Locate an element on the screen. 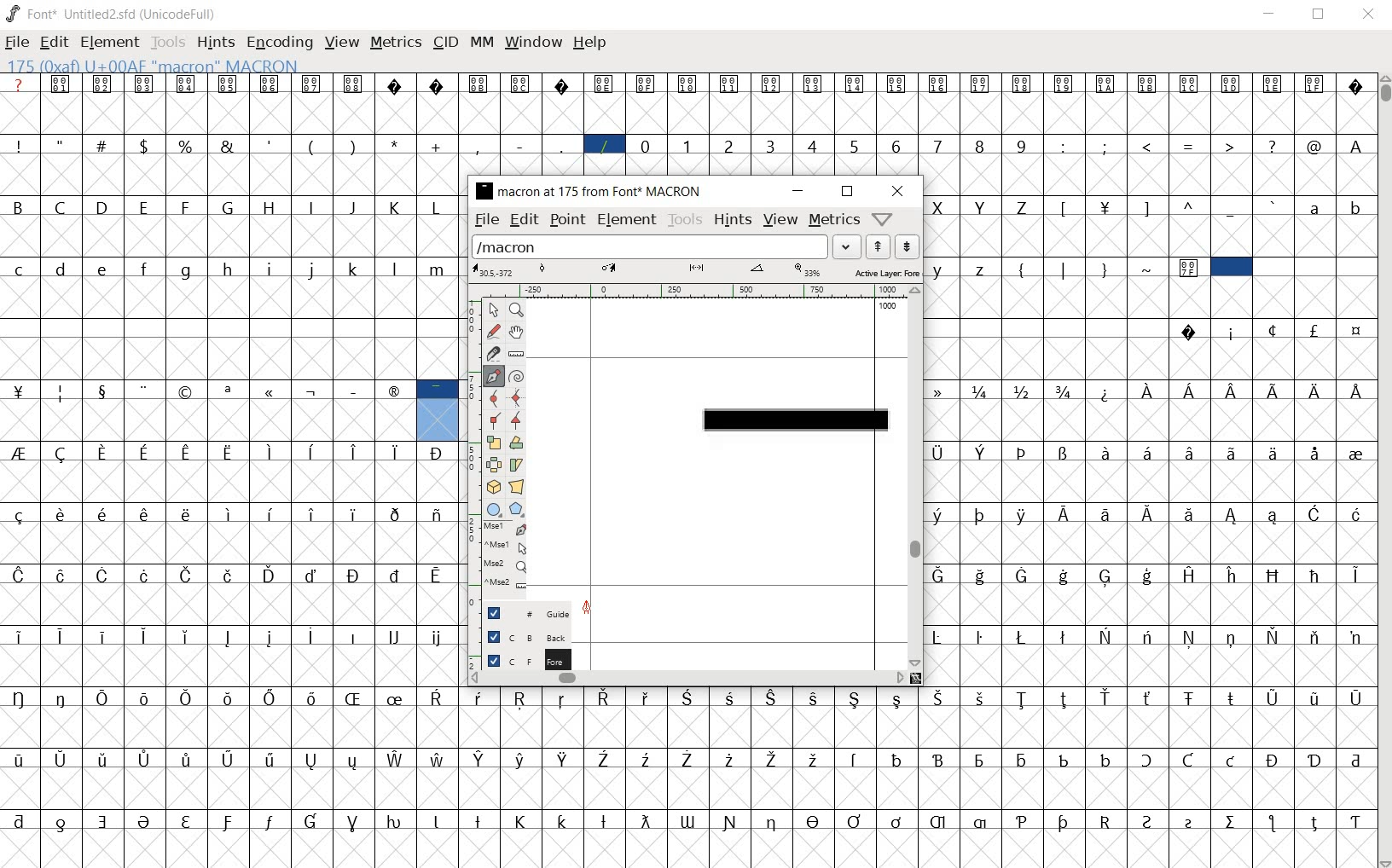 The width and height of the screenshot is (1392, 868). Symbol is located at coordinates (1024, 636).